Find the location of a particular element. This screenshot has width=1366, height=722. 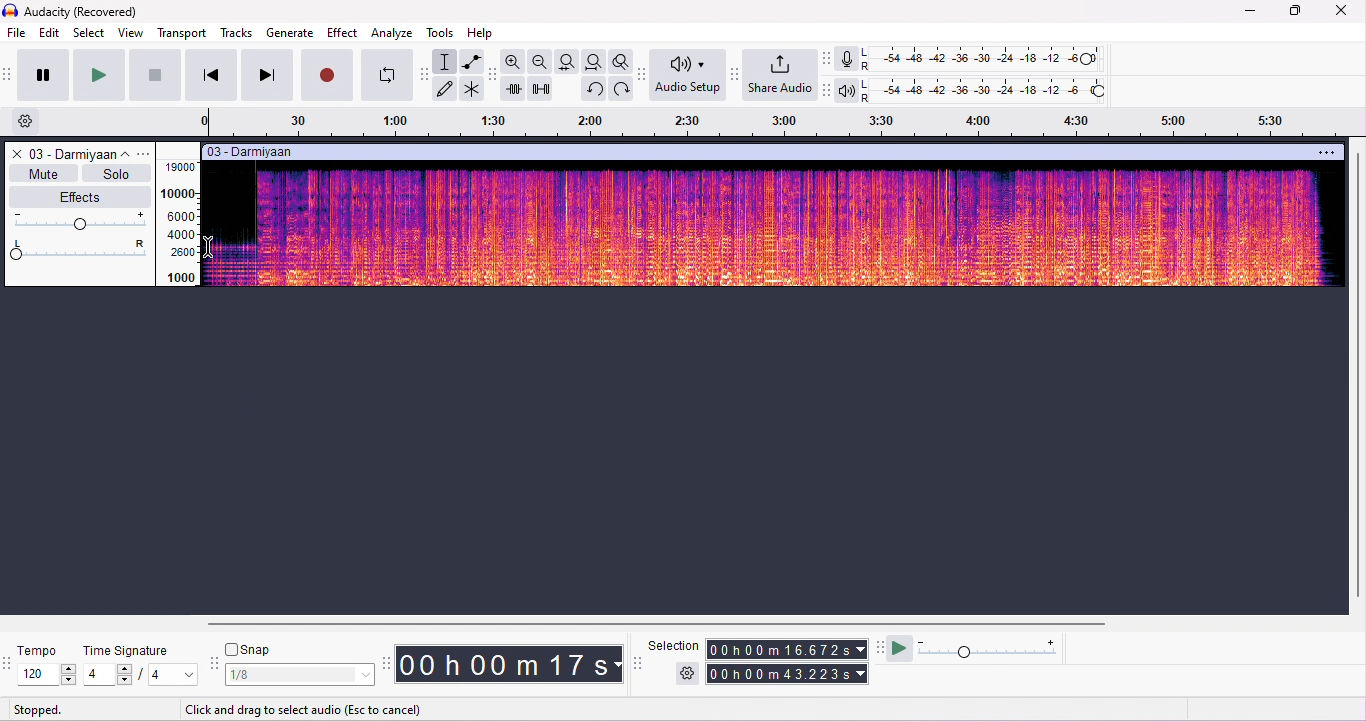

view is located at coordinates (131, 34).